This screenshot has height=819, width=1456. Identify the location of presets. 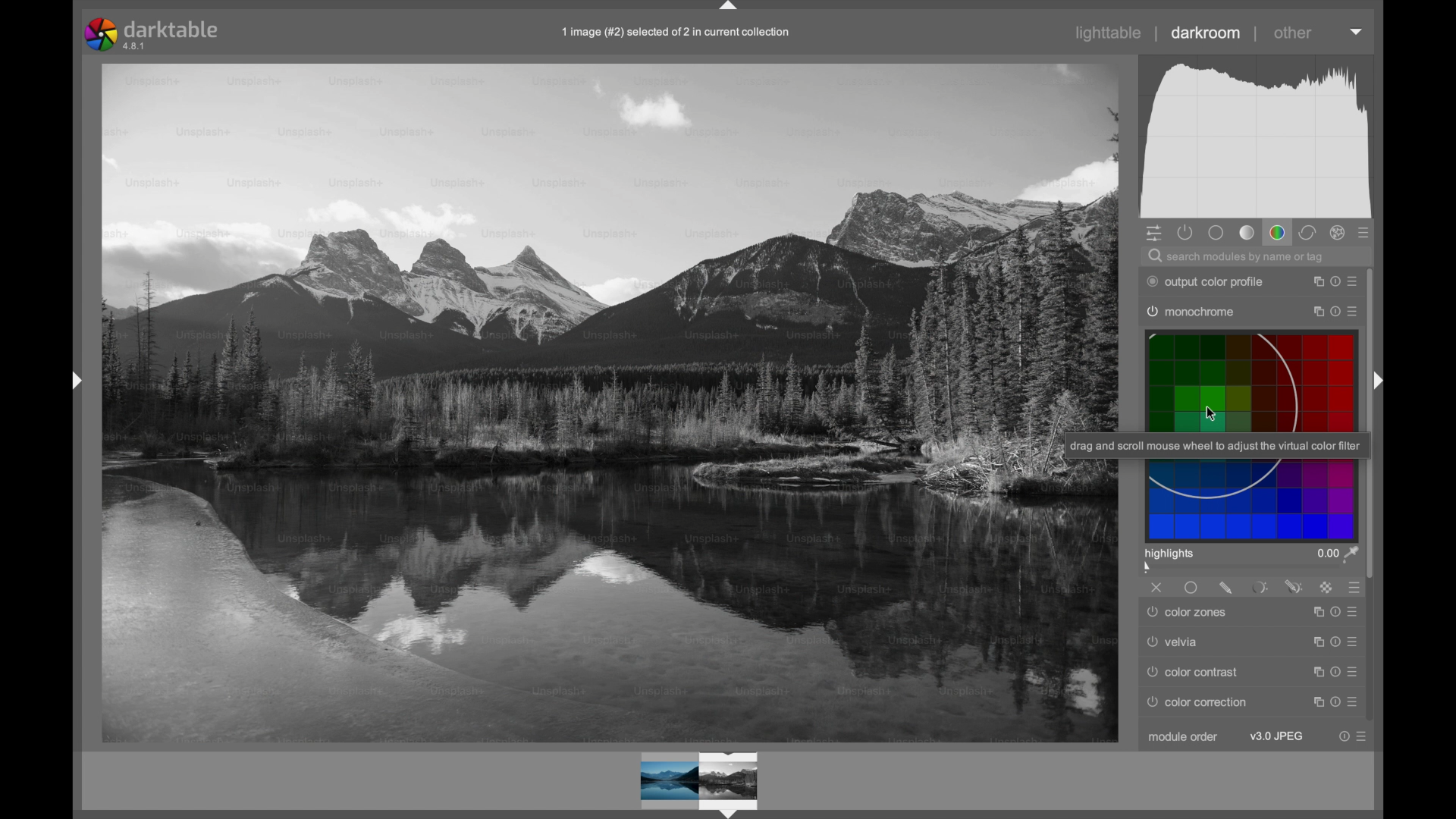
(1356, 613).